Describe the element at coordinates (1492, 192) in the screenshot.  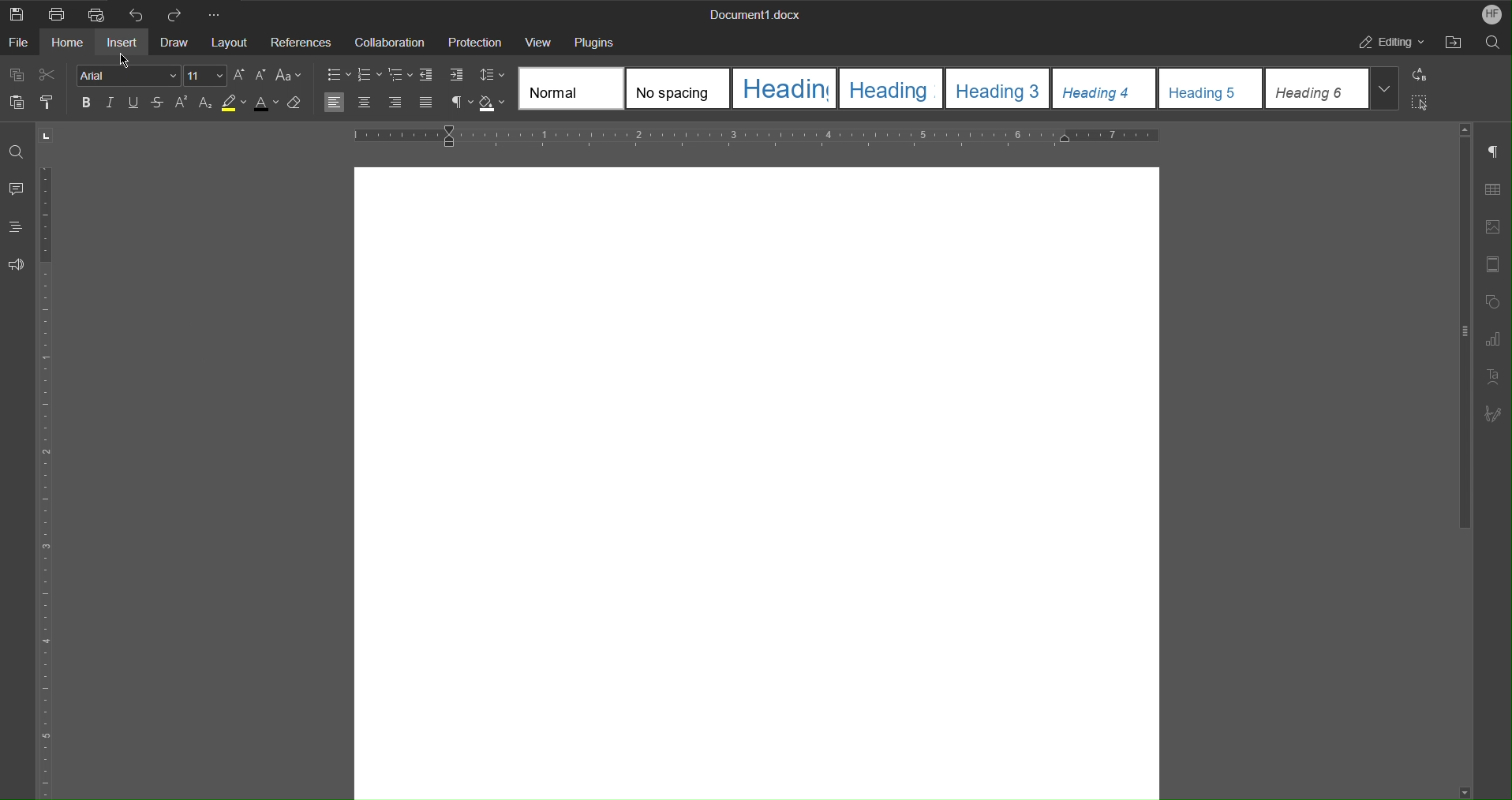
I see `Table` at that location.